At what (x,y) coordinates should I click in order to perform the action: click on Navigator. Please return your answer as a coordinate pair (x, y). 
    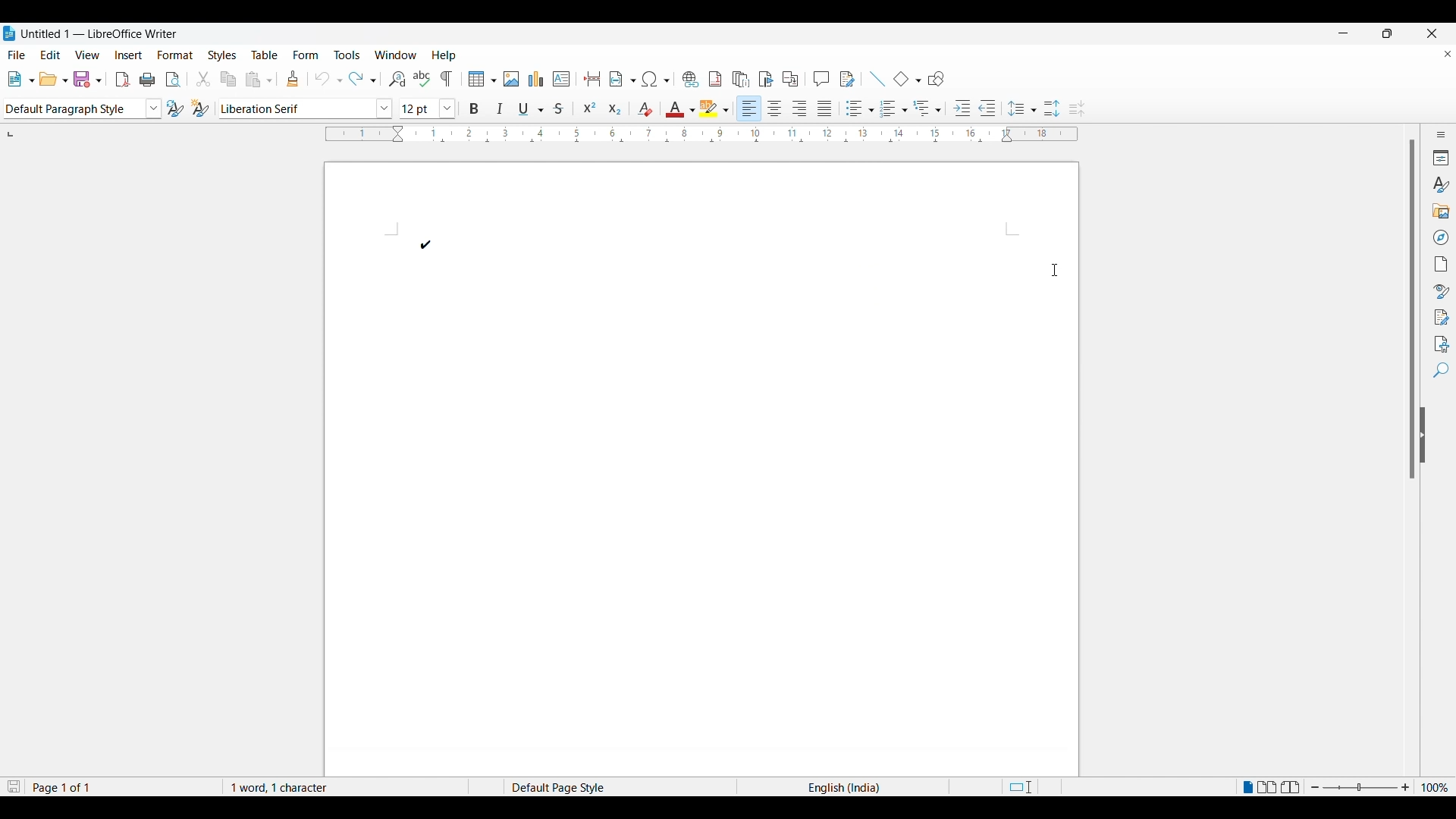
    Looking at the image, I should click on (1439, 236).